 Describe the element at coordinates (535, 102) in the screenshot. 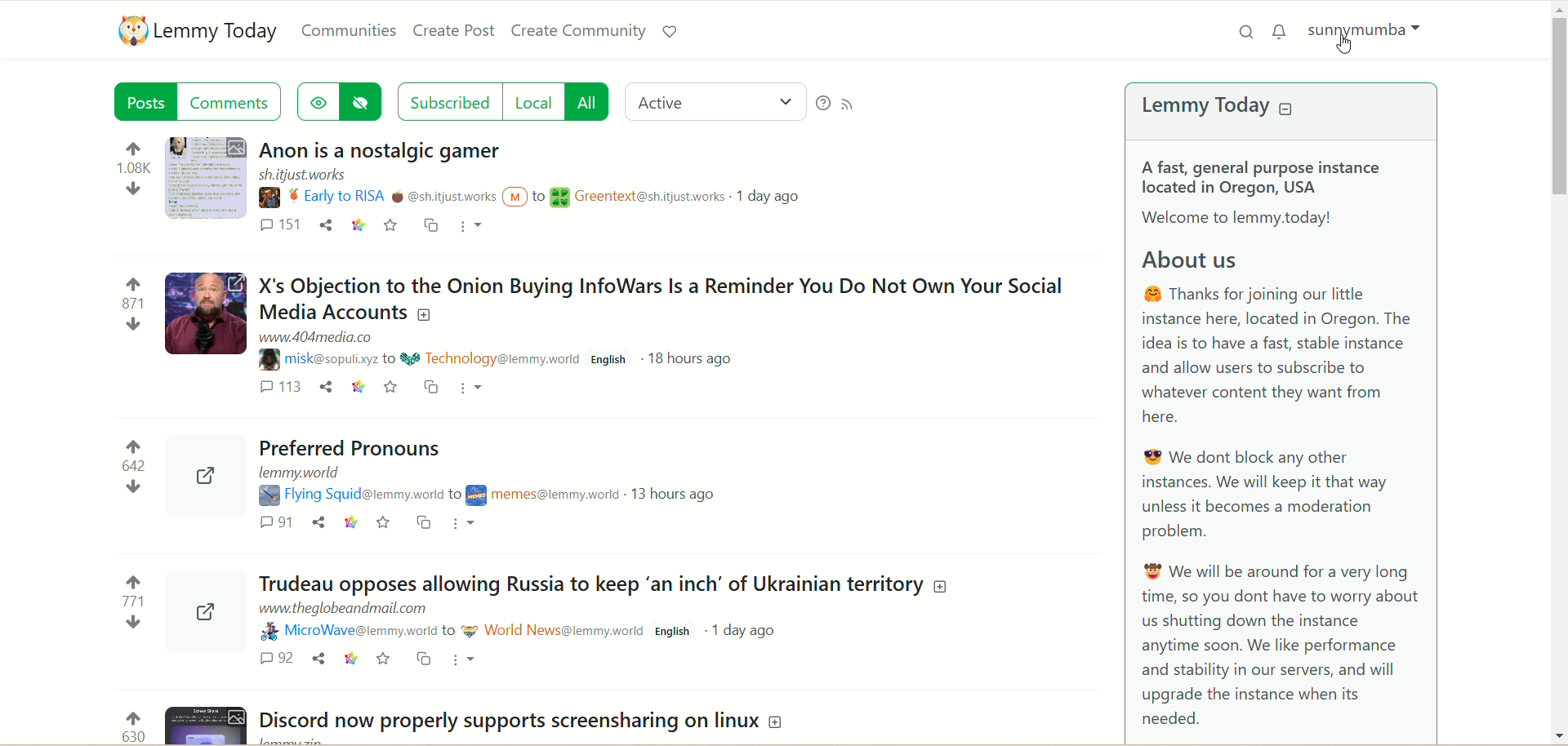

I see `local` at that location.